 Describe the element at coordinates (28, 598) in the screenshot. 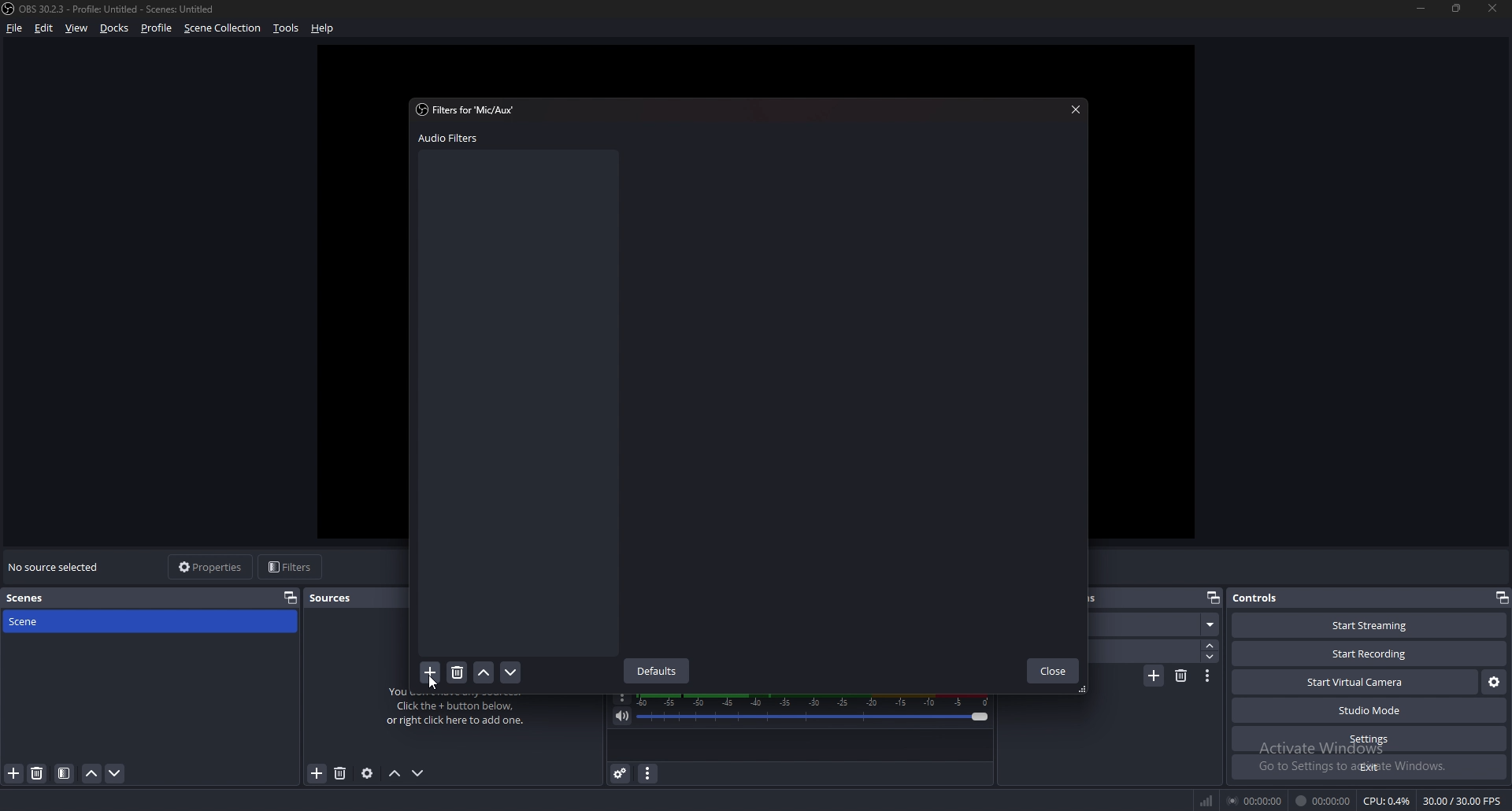

I see `scenes` at that location.